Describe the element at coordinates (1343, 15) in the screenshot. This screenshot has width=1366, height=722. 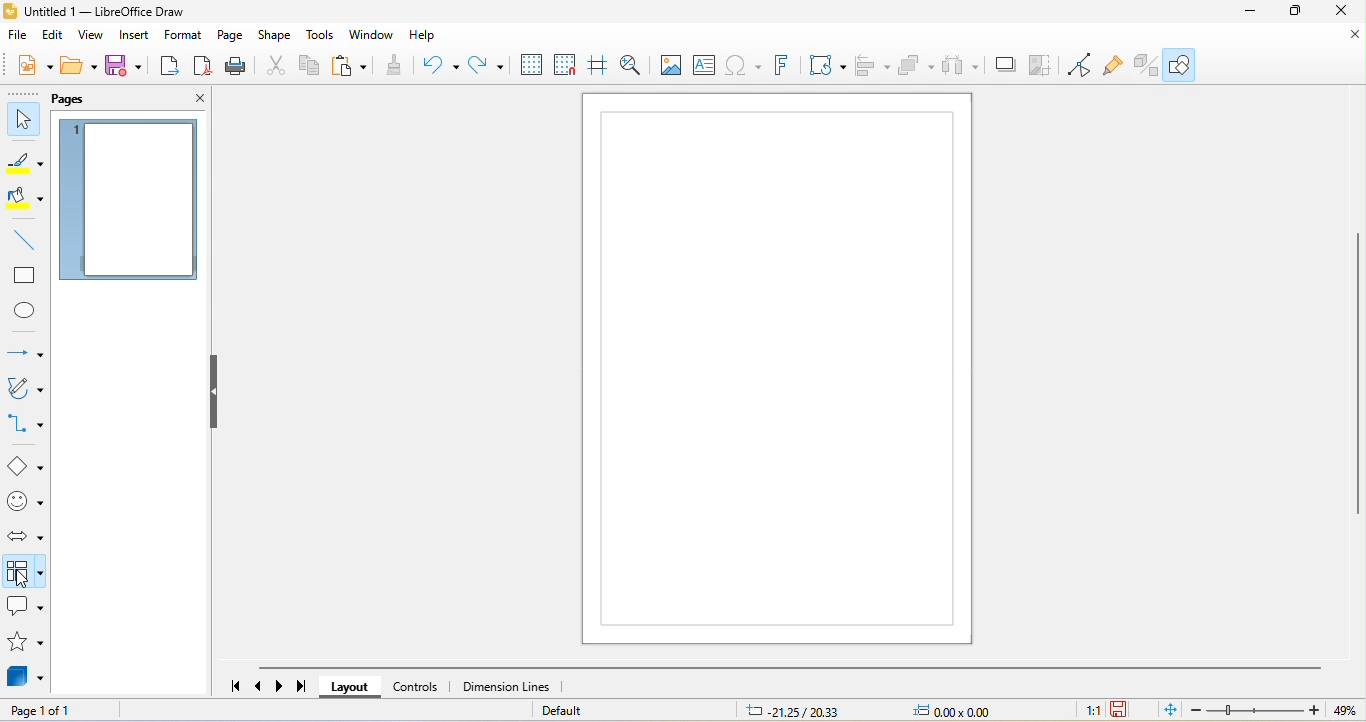
I see `close` at that location.